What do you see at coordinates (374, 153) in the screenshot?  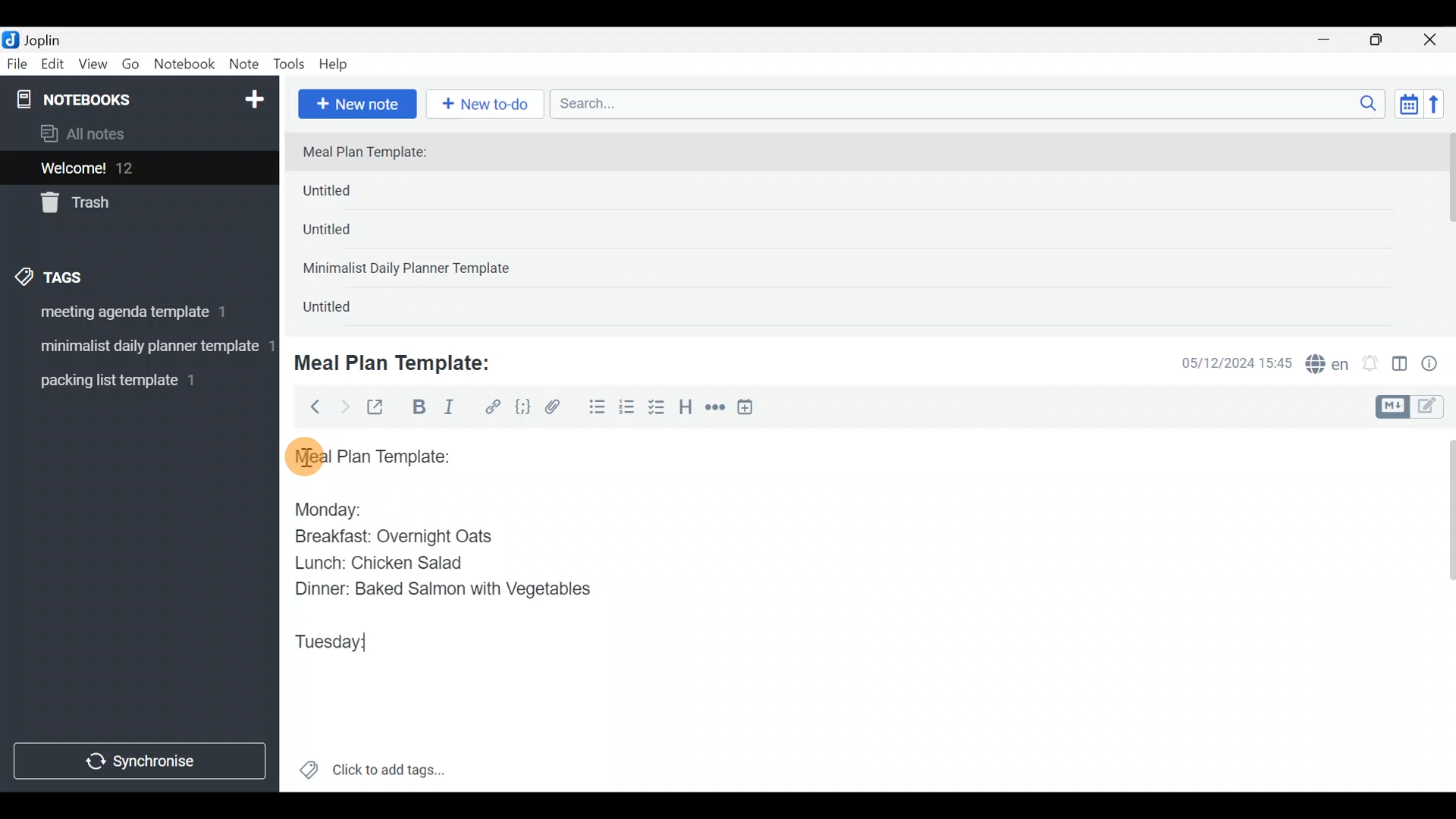 I see `Meal Plan Template:` at bounding box center [374, 153].